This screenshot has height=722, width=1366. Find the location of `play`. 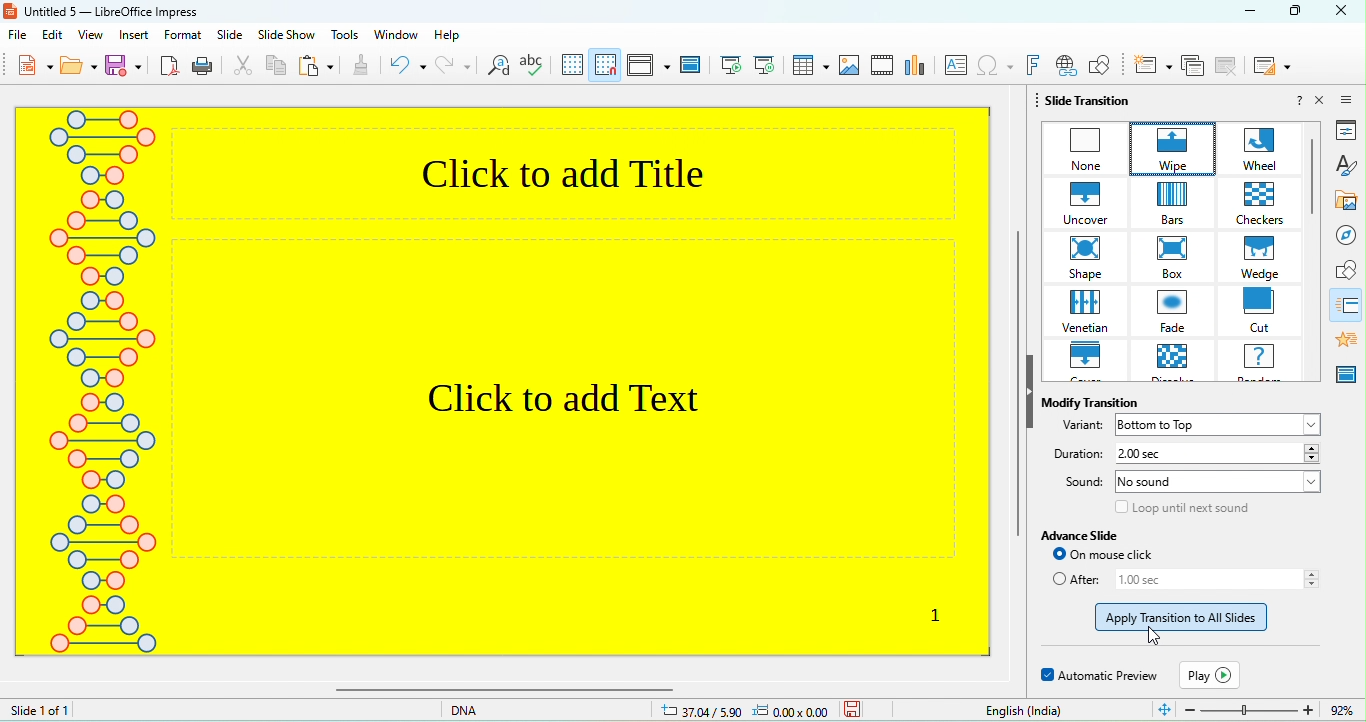

play is located at coordinates (1211, 673).